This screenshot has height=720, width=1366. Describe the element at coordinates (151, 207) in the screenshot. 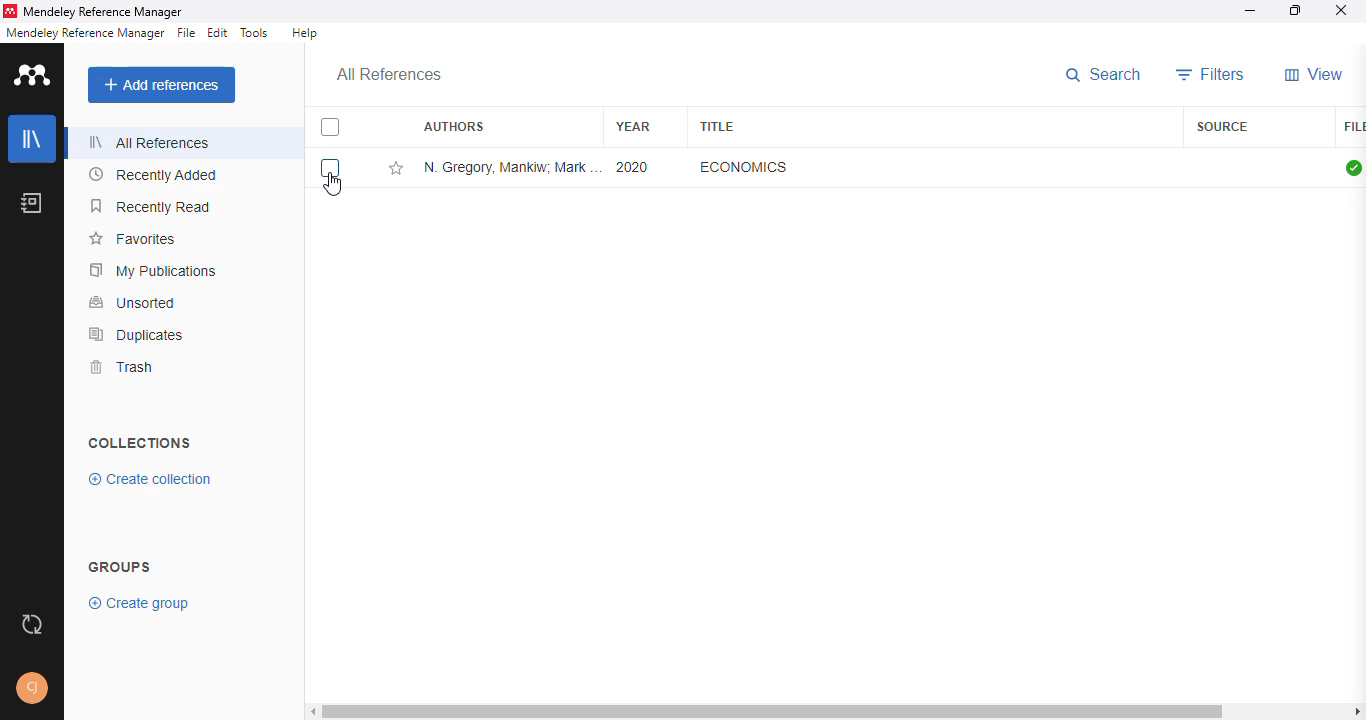

I see `recently read` at that location.